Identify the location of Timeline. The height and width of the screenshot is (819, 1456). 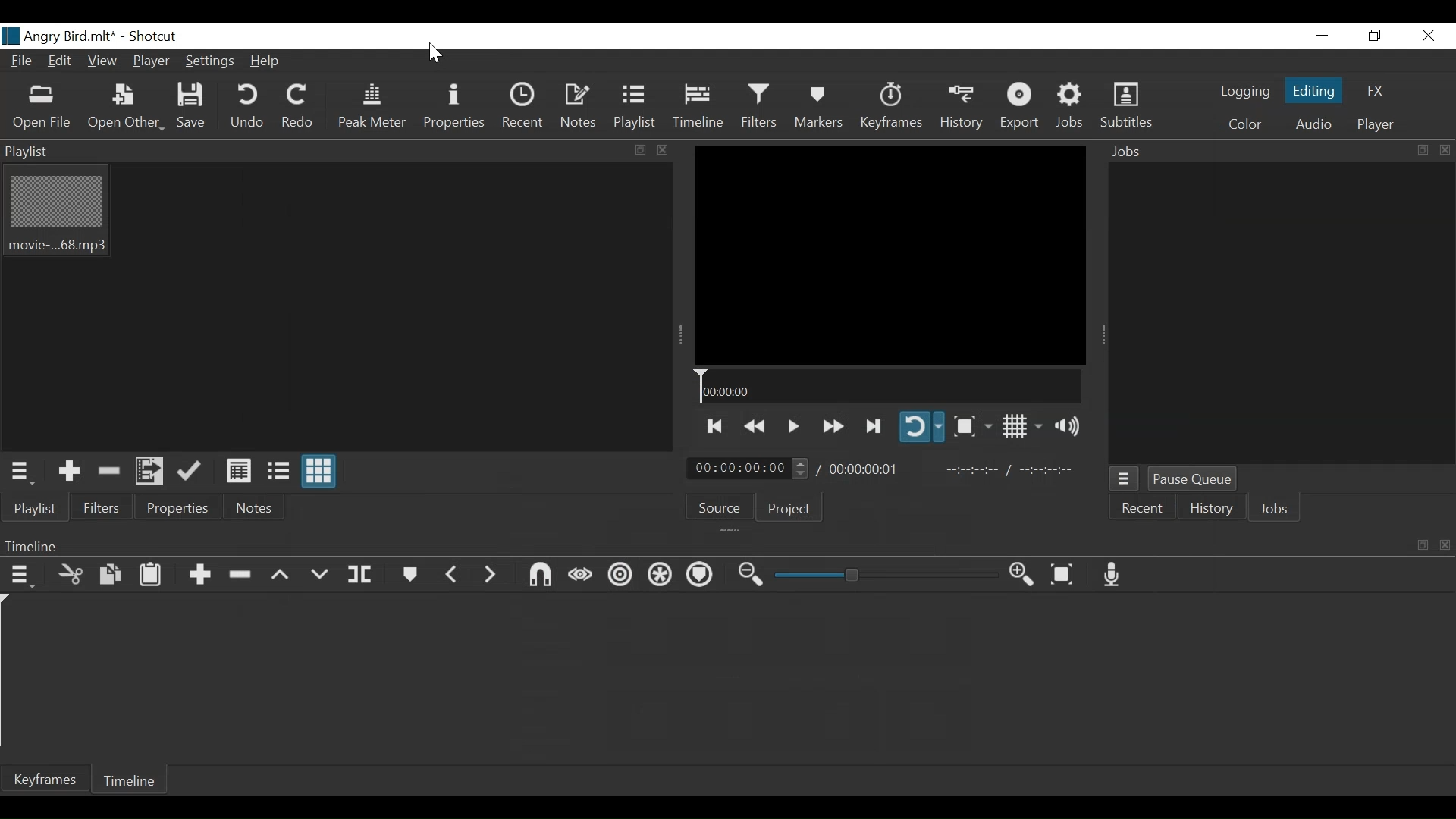
(128, 780).